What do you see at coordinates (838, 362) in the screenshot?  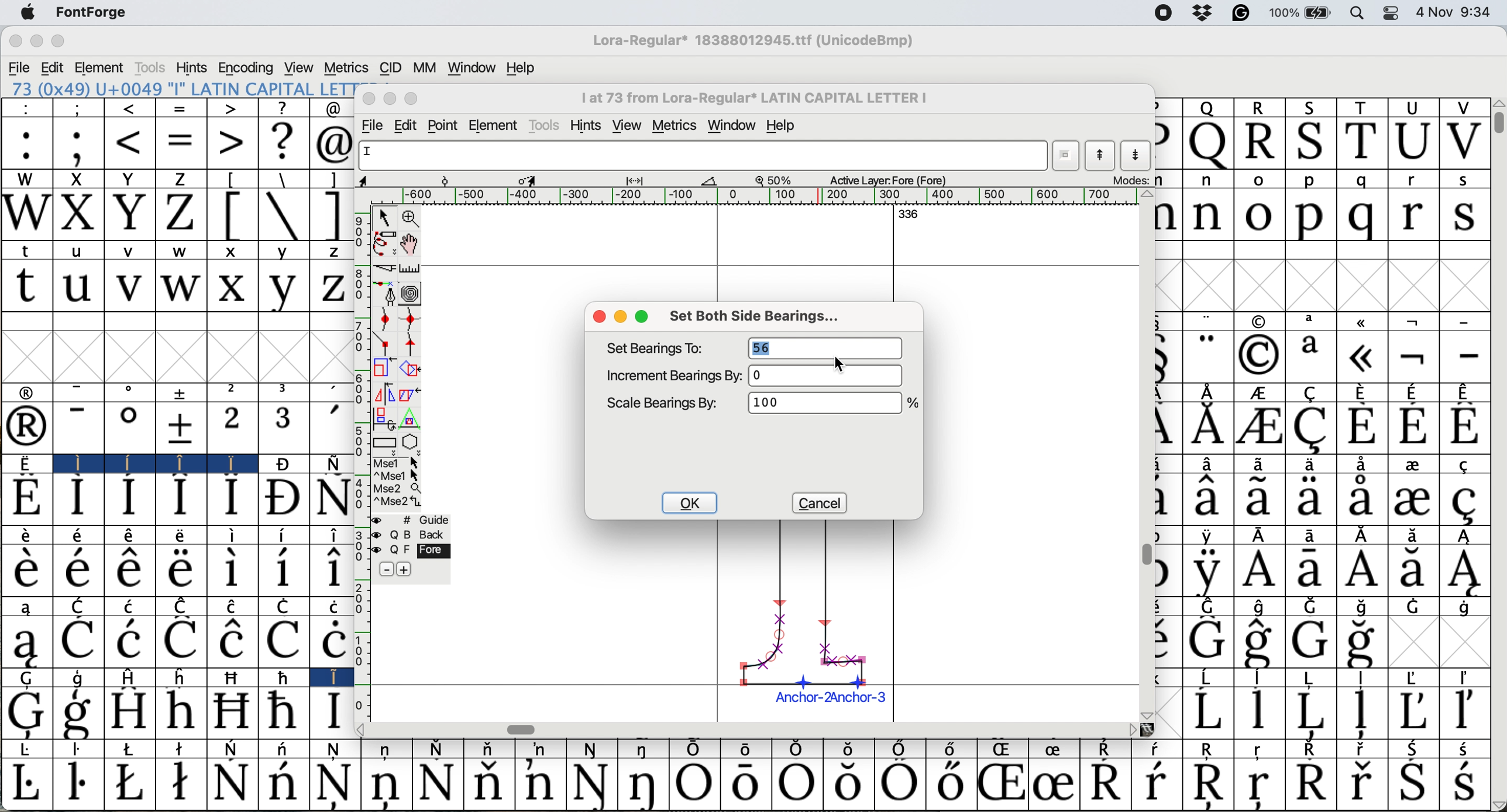 I see `cursor` at bounding box center [838, 362].